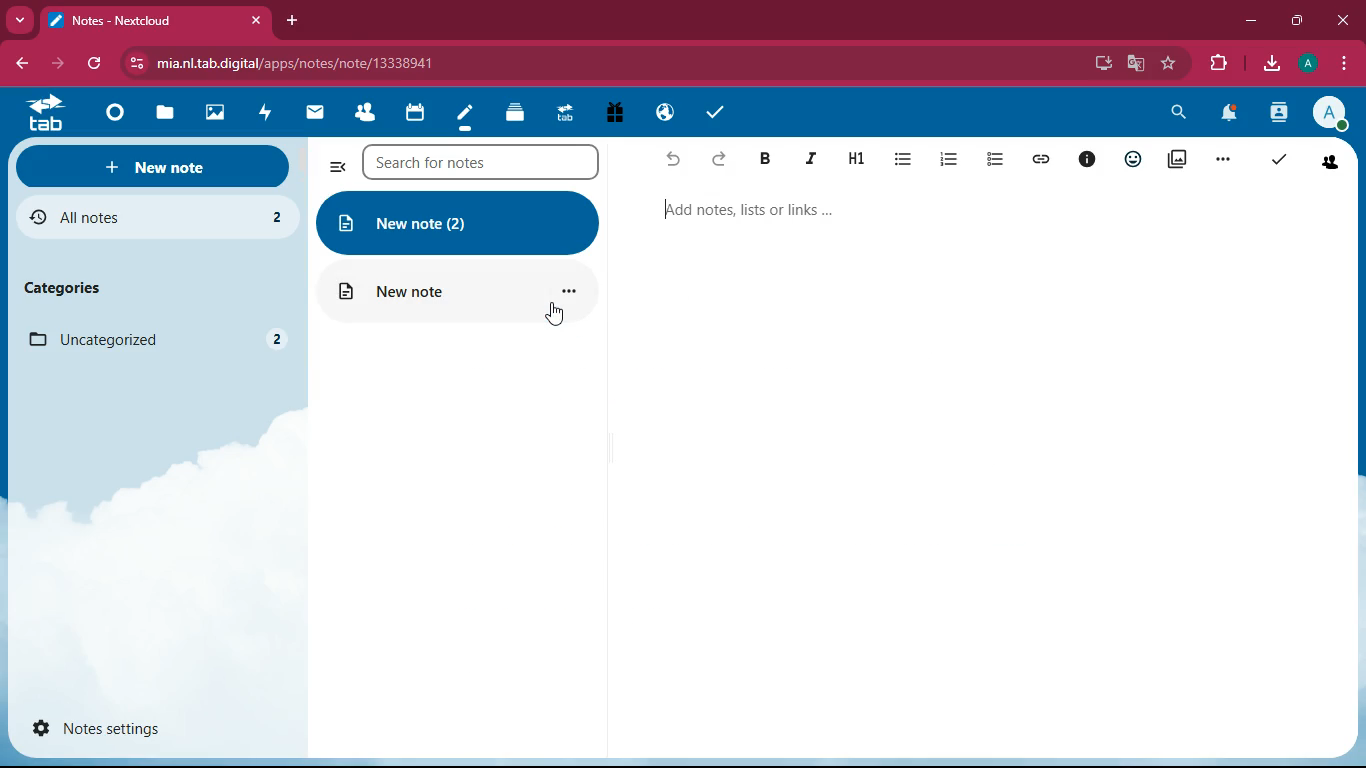 The width and height of the screenshot is (1366, 768). I want to click on friends, so click(368, 112).